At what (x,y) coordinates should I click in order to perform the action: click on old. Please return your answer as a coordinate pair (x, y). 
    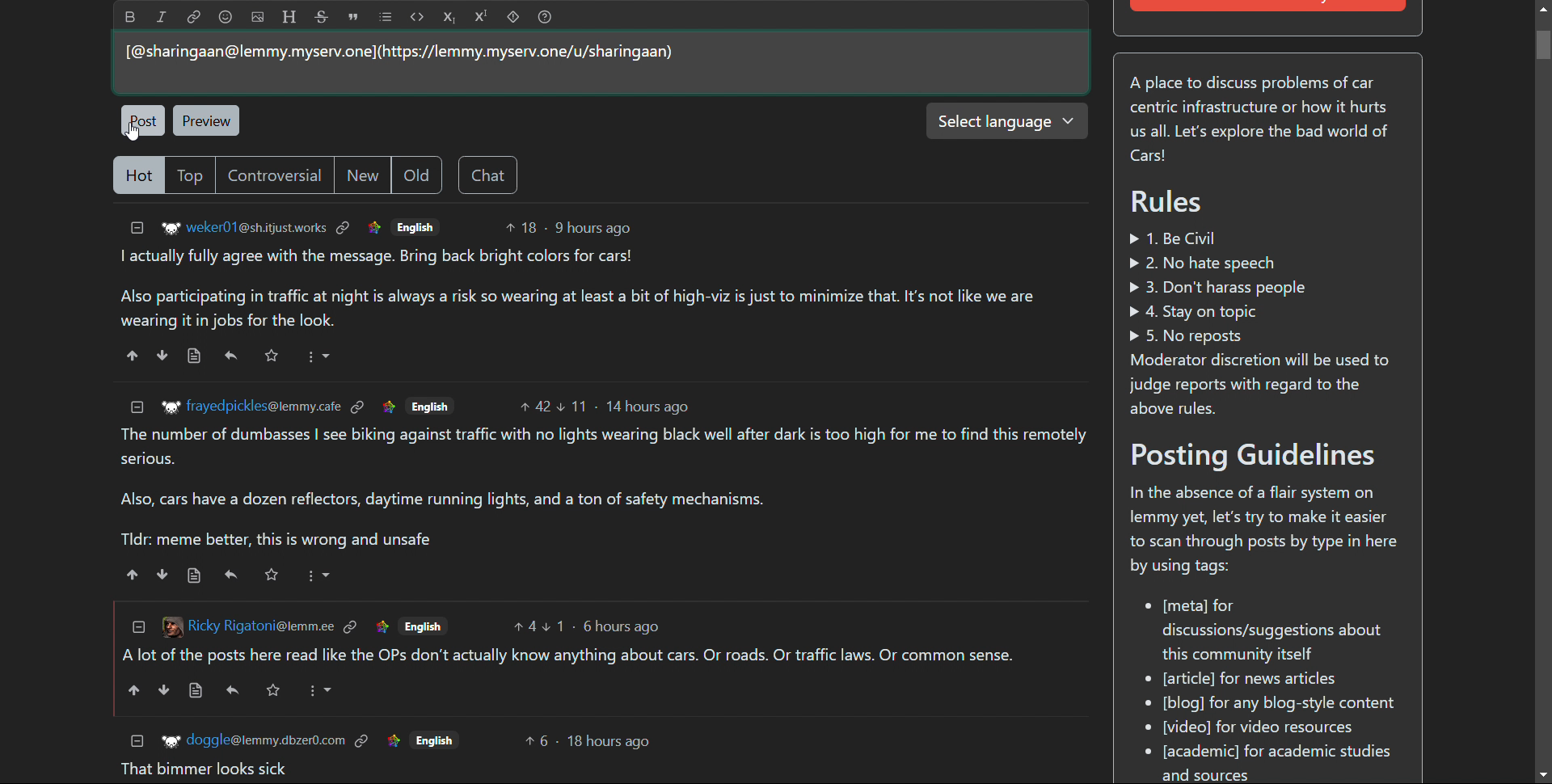
    Looking at the image, I should click on (415, 175).